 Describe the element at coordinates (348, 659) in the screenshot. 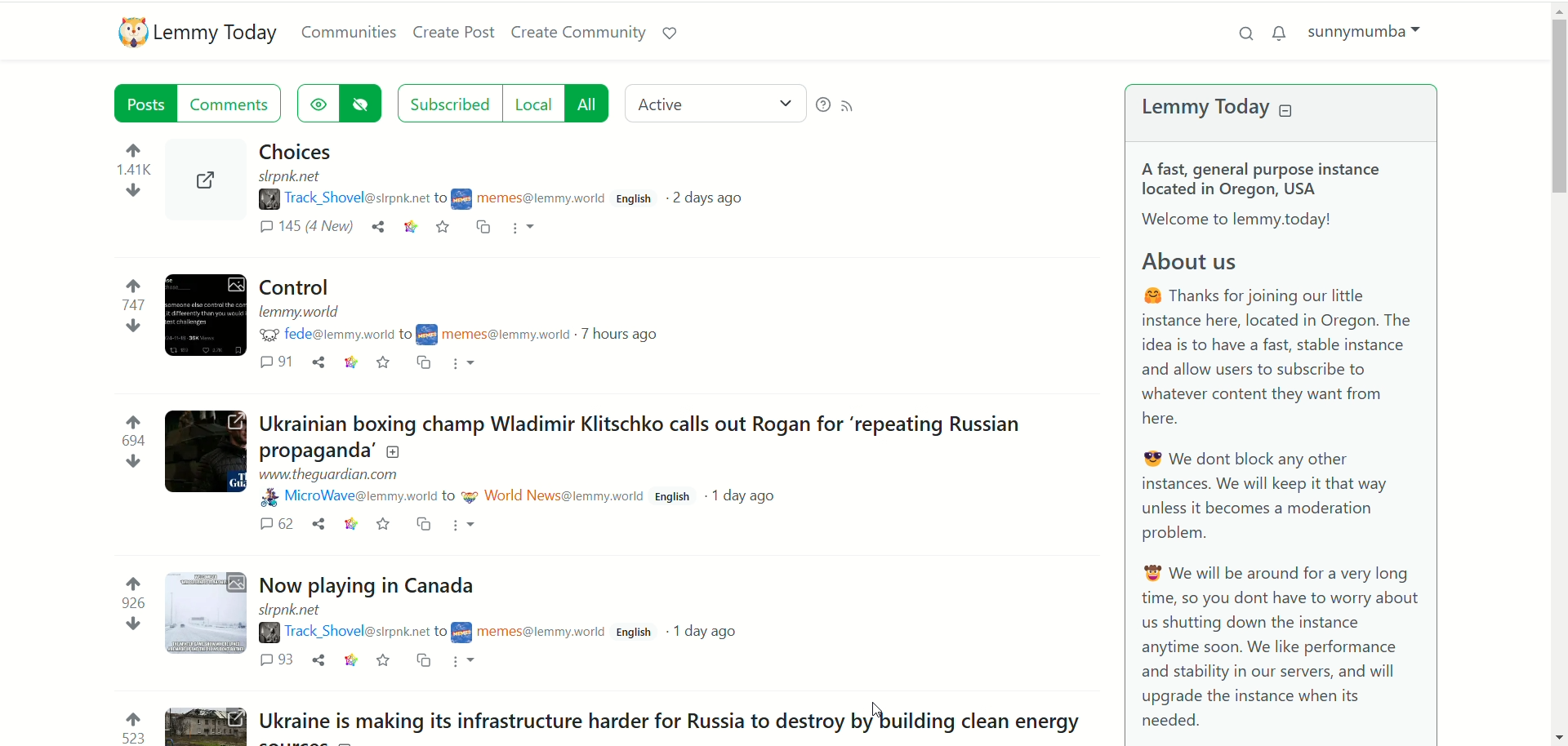

I see `link` at that location.